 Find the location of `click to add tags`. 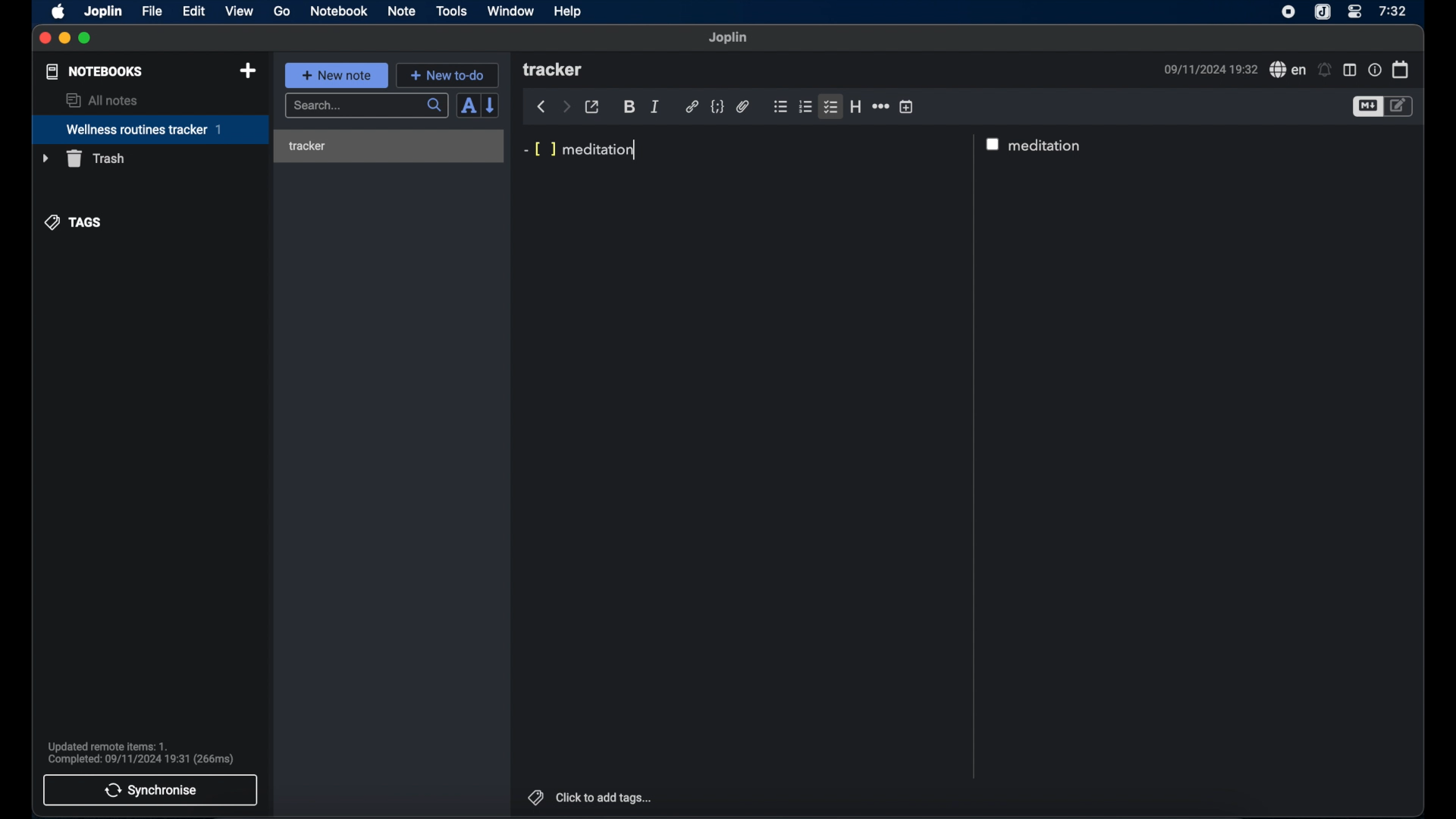

click to add tags is located at coordinates (605, 797).